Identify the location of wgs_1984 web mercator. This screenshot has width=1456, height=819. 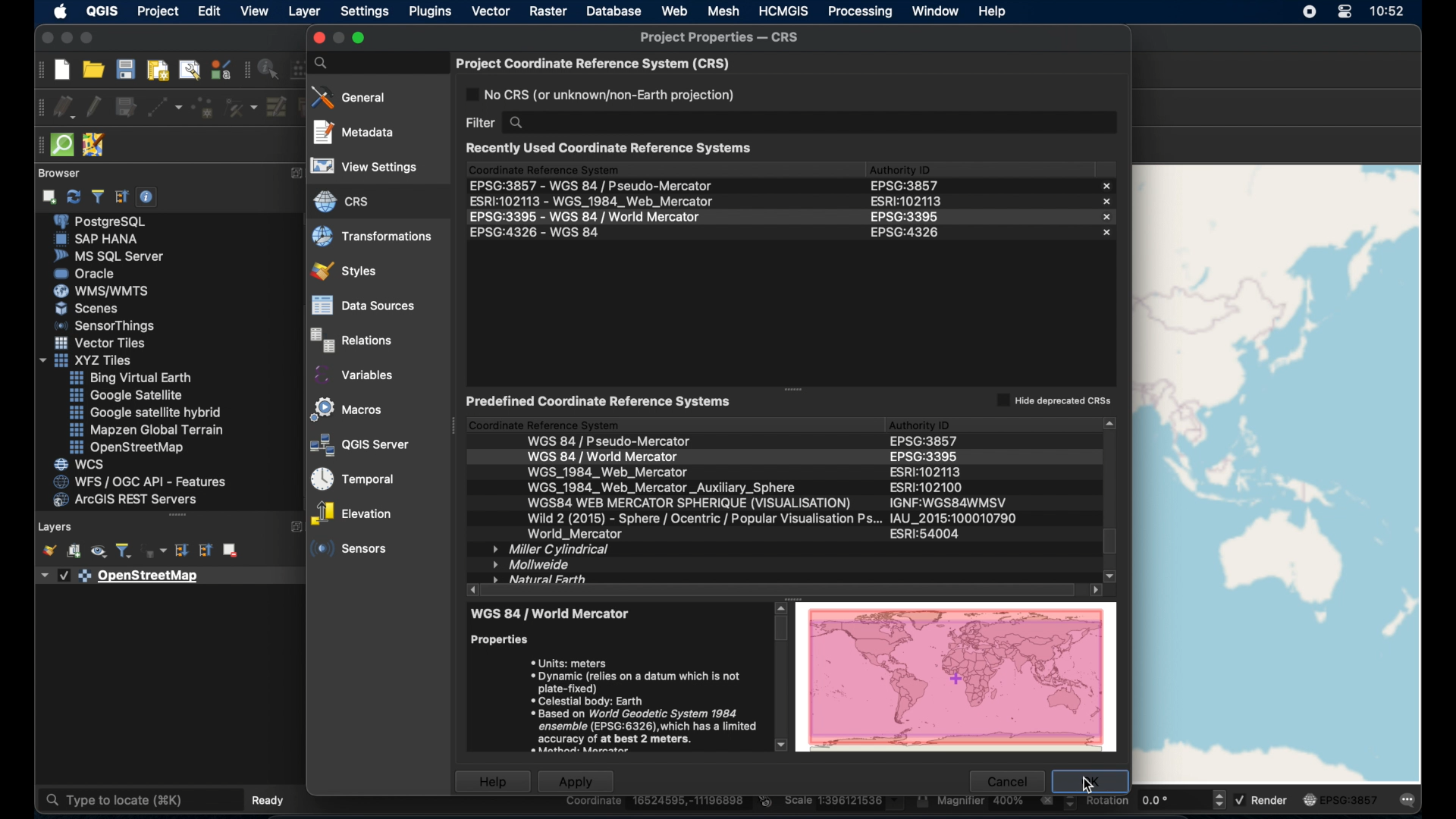
(607, 472).